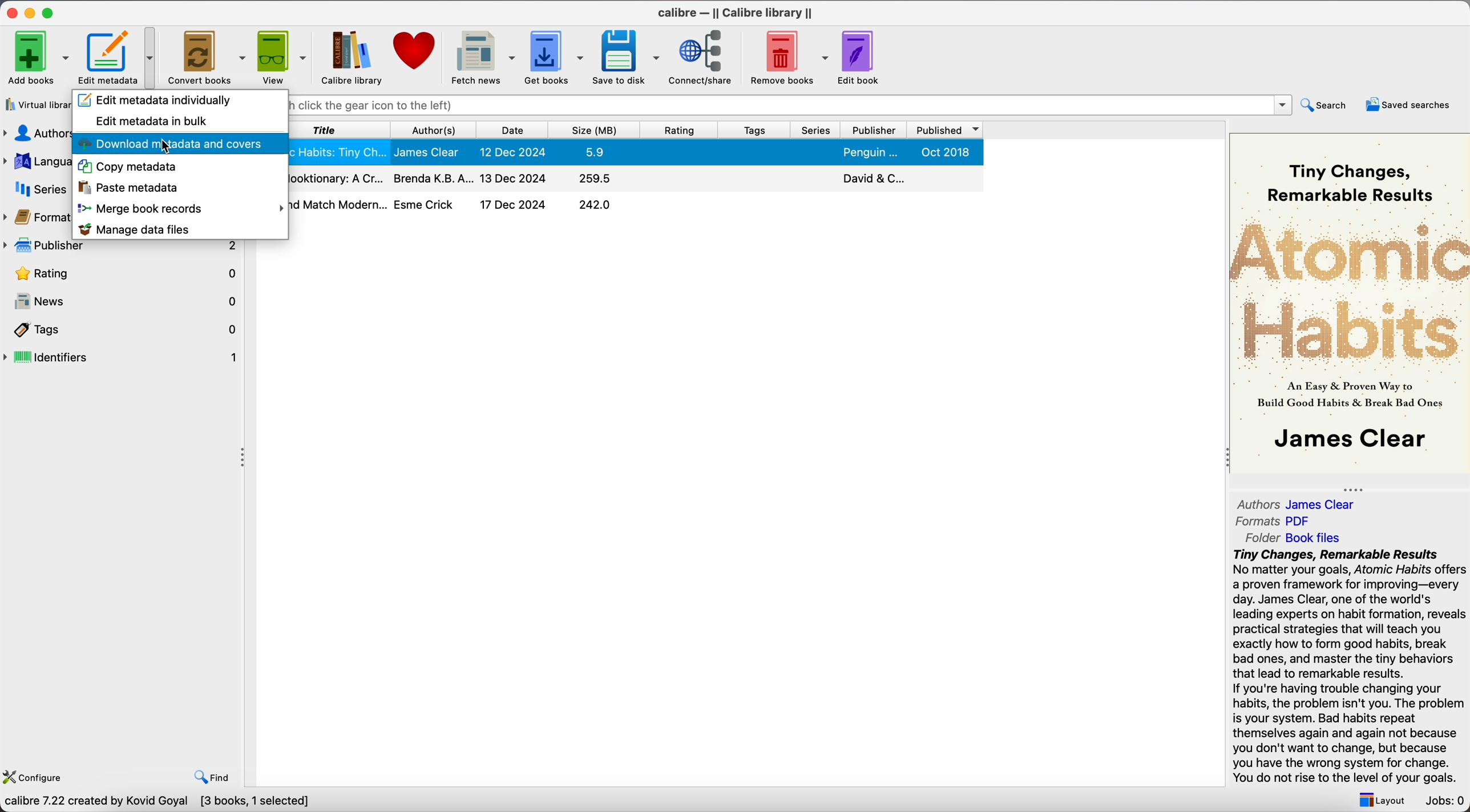  I want to click on Atomic Habits: Tiny Ch..., so click(341, 152).